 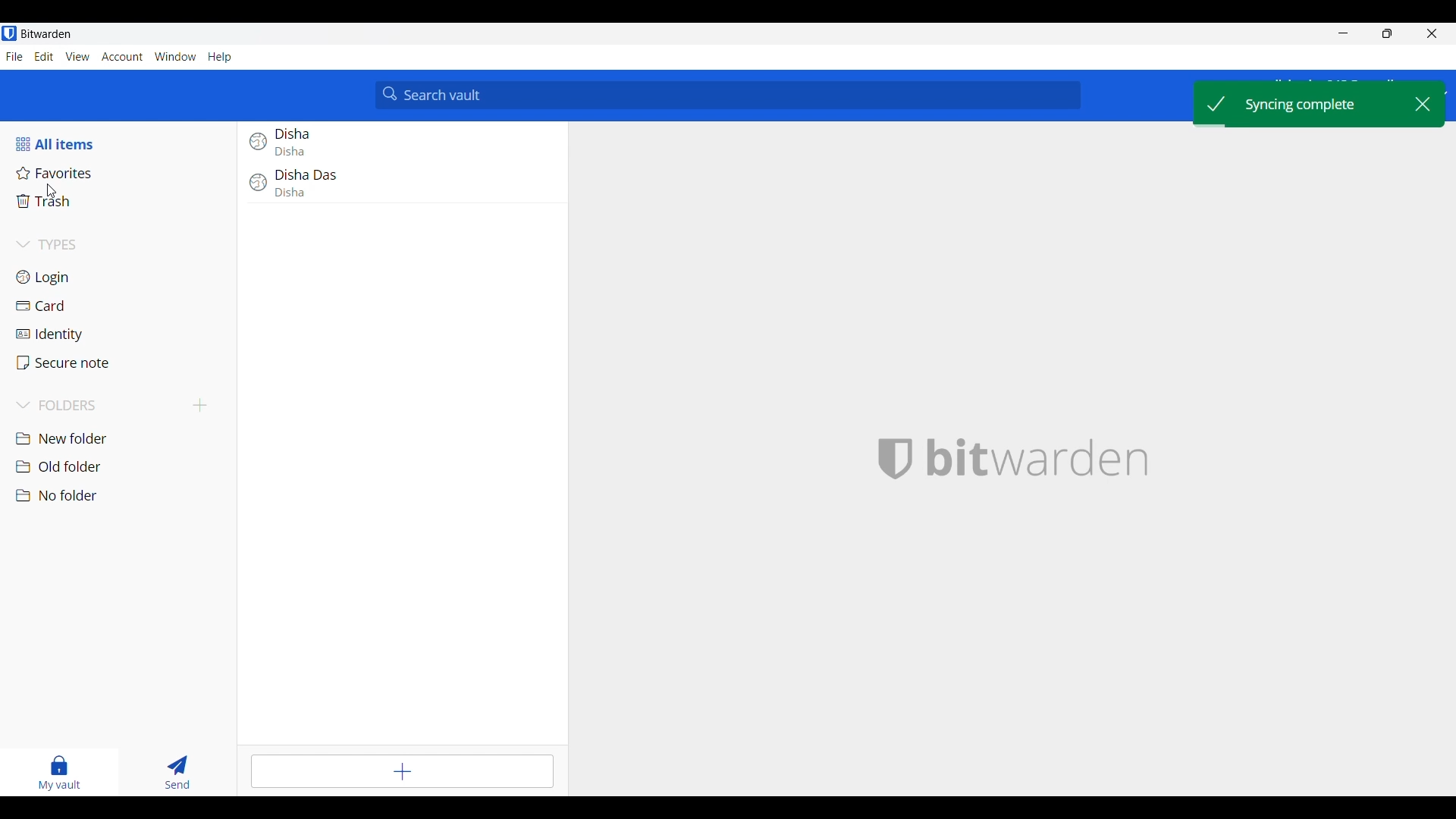 I want to click on My vault, so click(x=59, y=773).